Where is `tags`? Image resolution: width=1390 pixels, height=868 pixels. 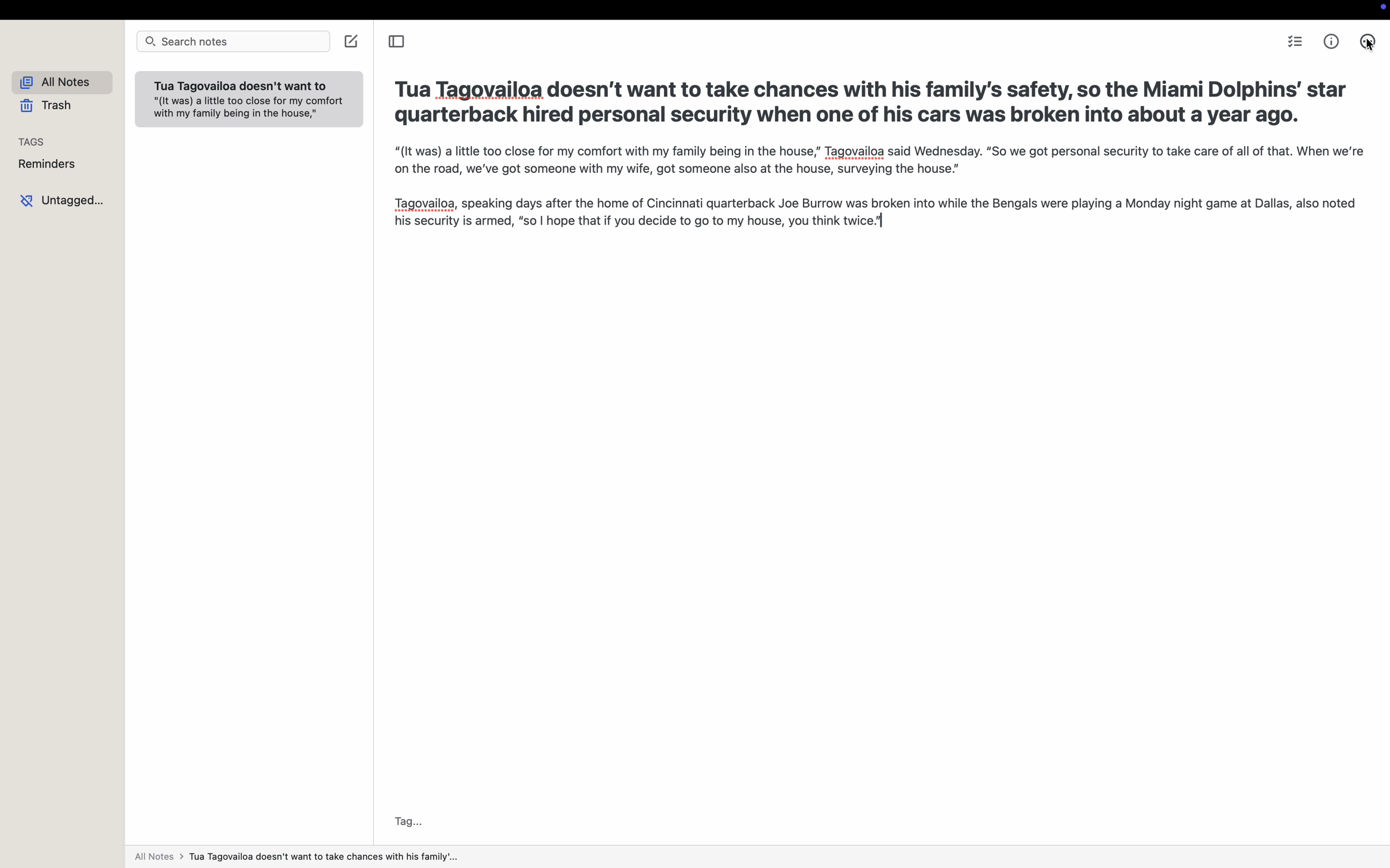 tags is located at coordinates (29, 142).